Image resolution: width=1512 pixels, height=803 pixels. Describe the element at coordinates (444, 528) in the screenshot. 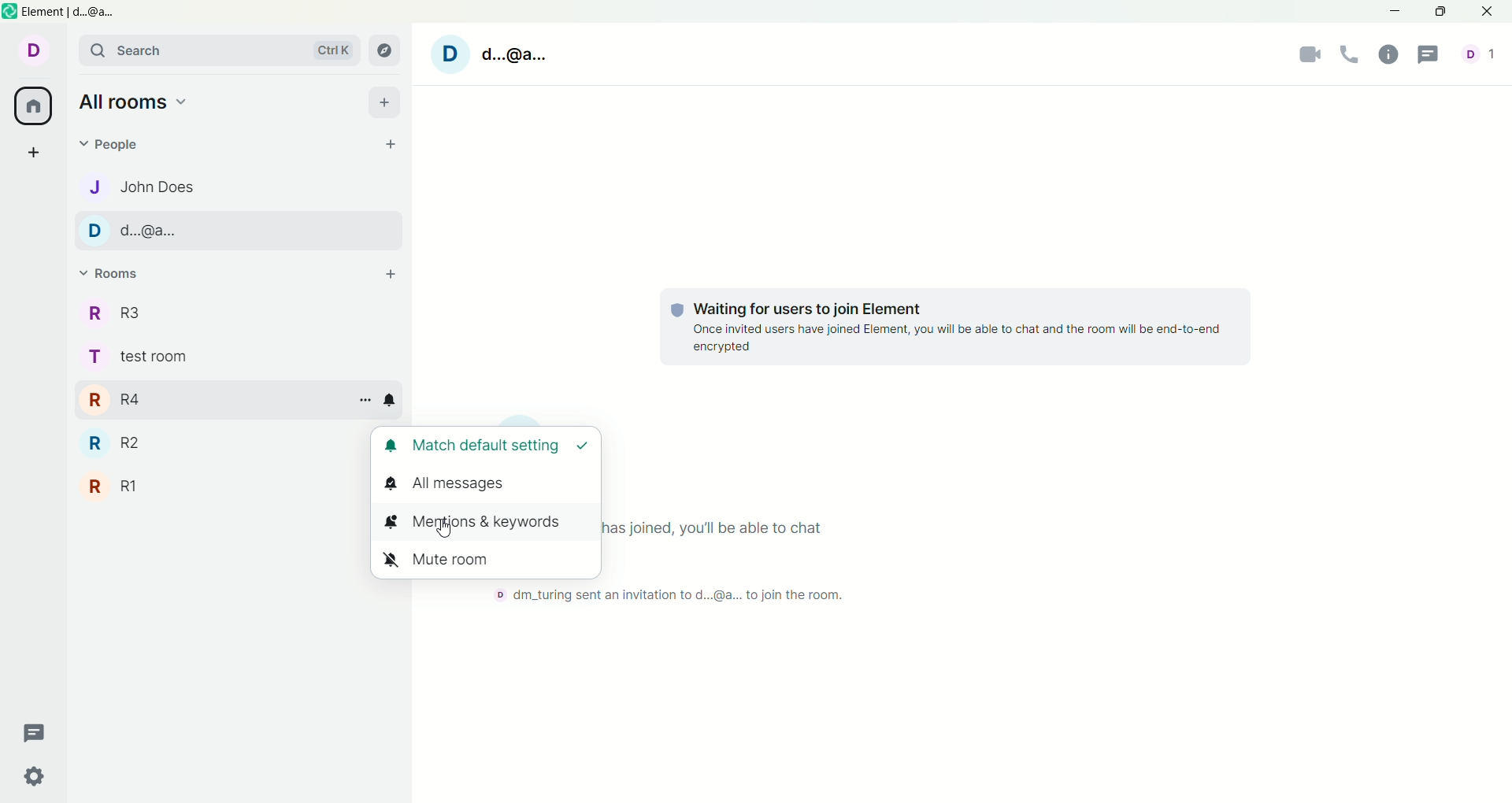

I see `Cursor` at that location.